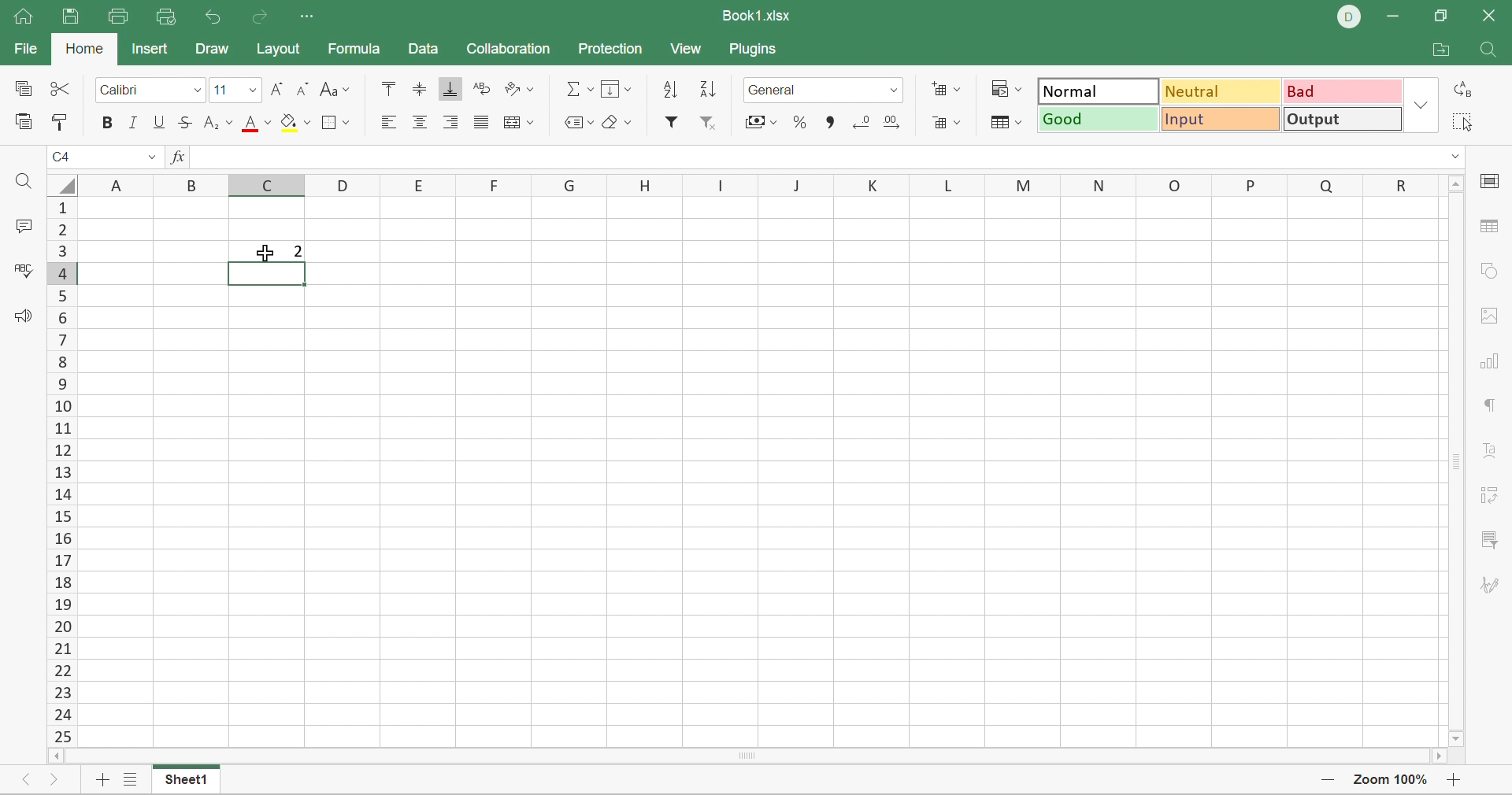 This screenshot has width=1512, height=795. I want to click on C4, so click(65, 156).